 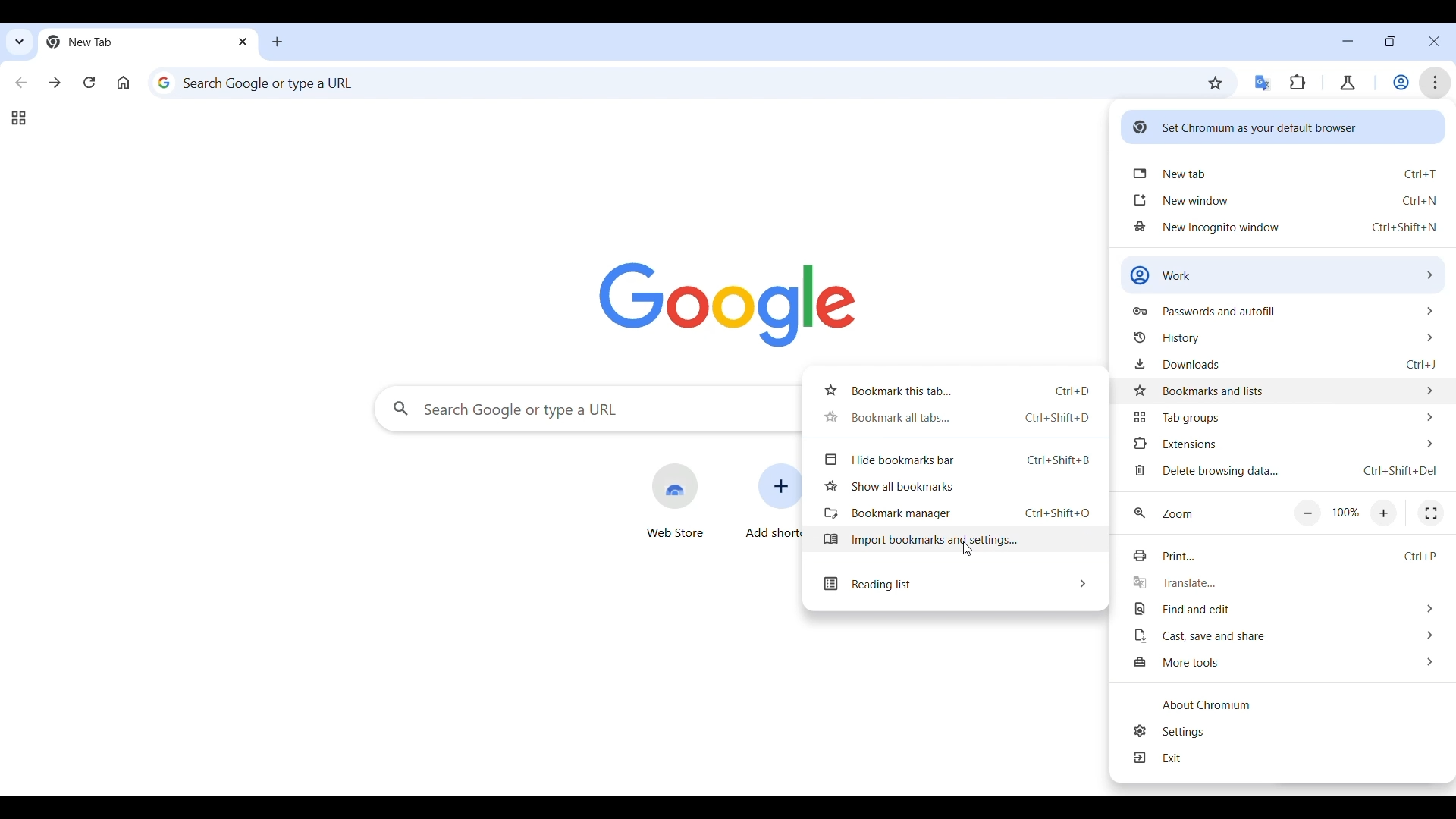 What do you see at coordinates (1285, 758) in the screenshot?
I see `Exit` at bounding box center [1285, 758].